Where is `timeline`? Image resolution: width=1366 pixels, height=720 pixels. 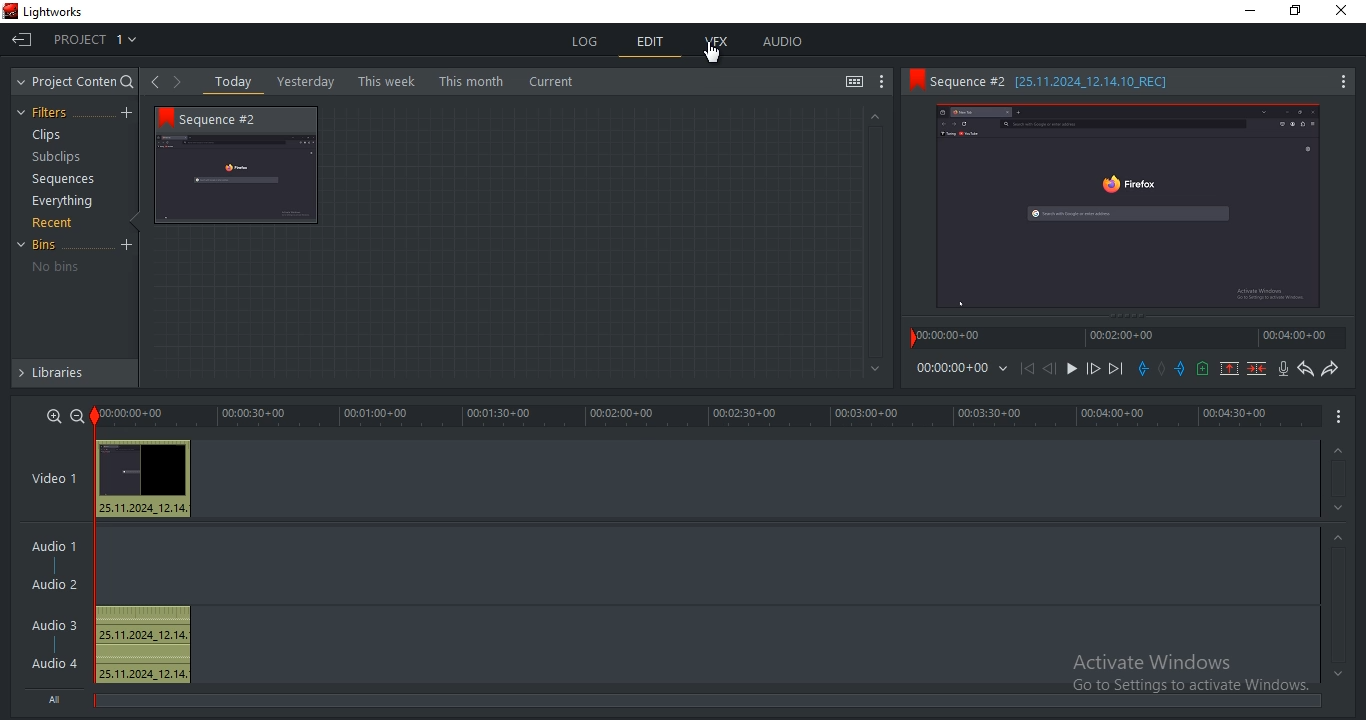
timeline is located at coordinates (705, 416).